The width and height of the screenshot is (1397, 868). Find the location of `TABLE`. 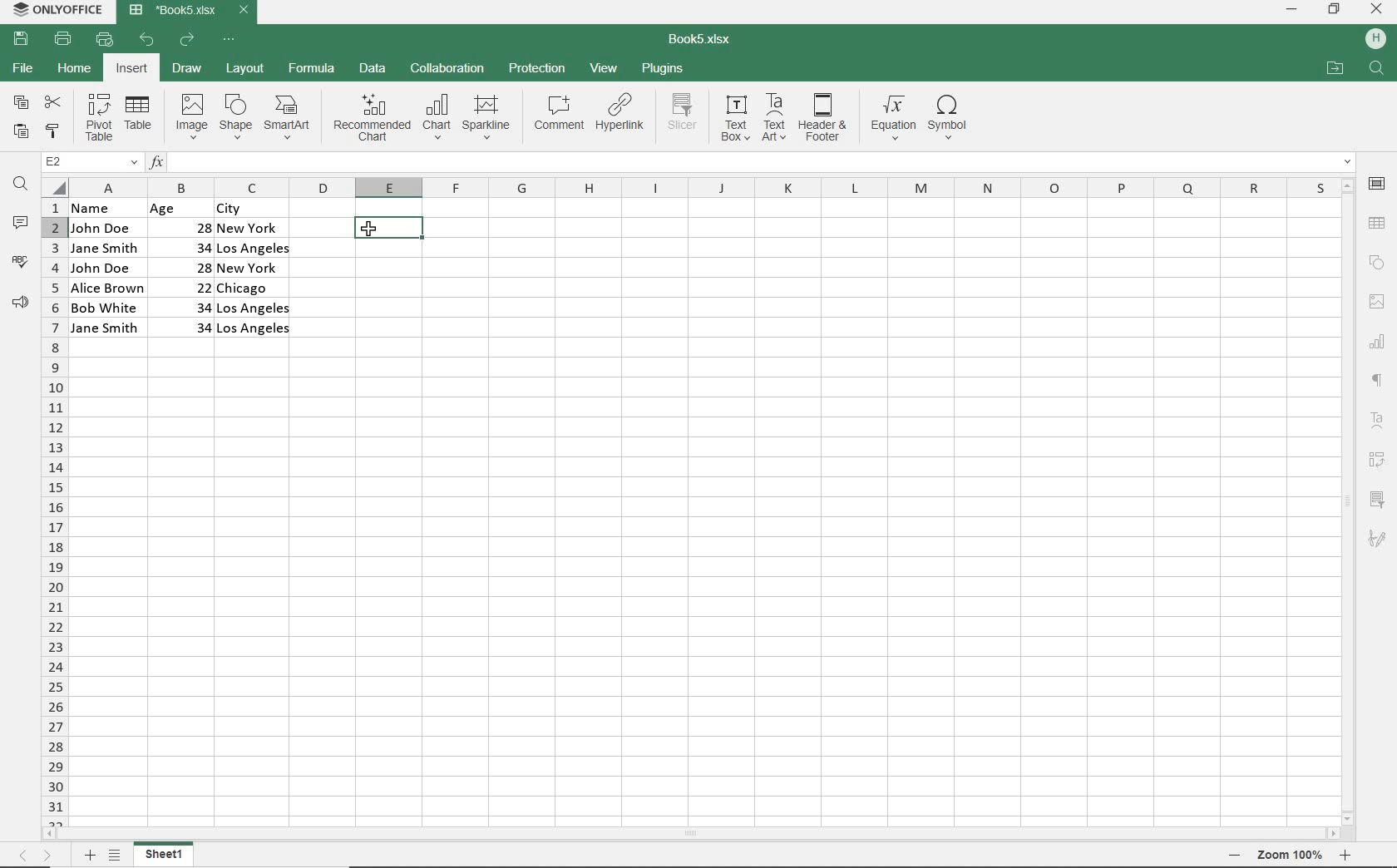

TABLE is located at coordinates (140, 118).